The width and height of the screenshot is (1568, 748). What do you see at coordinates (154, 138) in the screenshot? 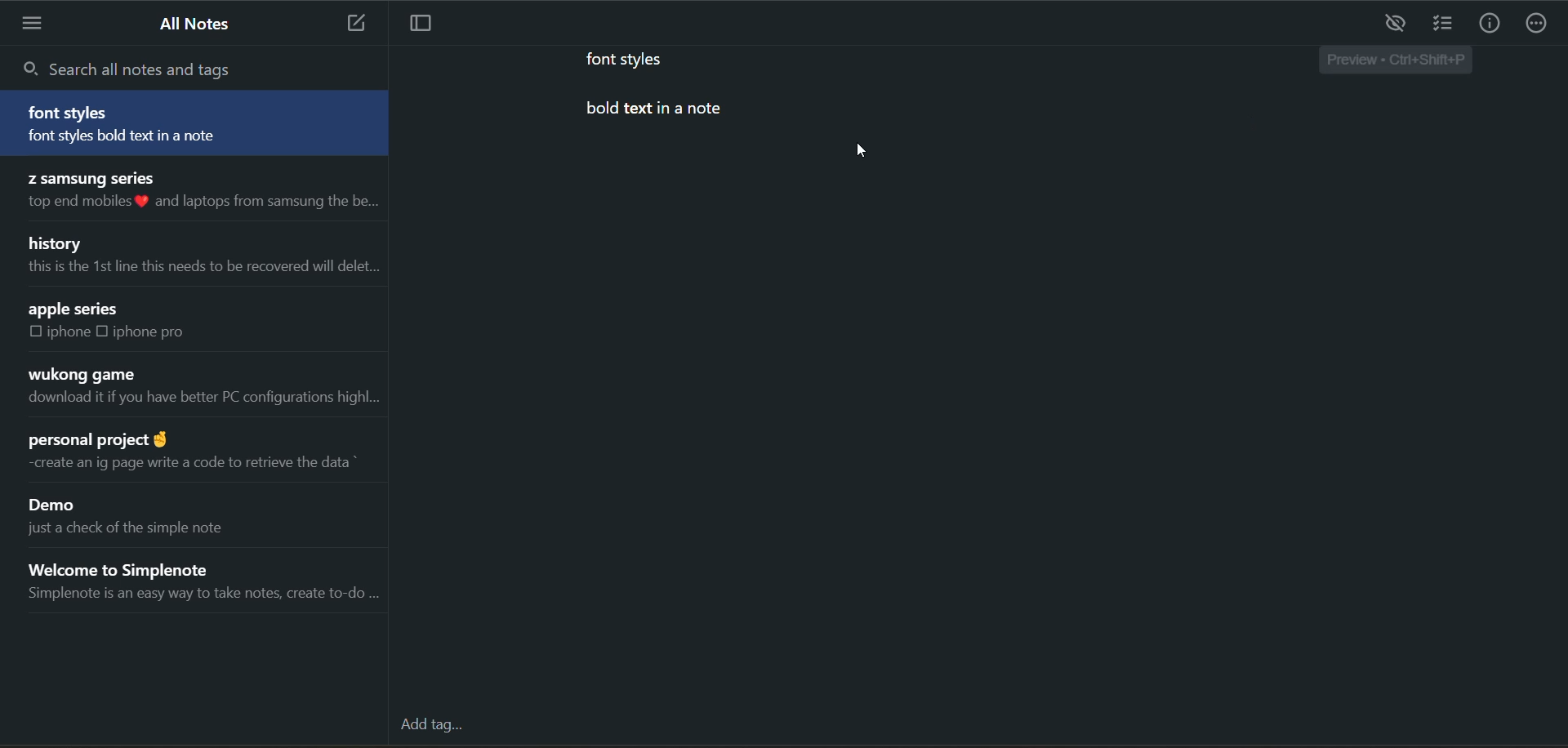
I see `font styles bold text in a note` at bounding box center [154, 138].